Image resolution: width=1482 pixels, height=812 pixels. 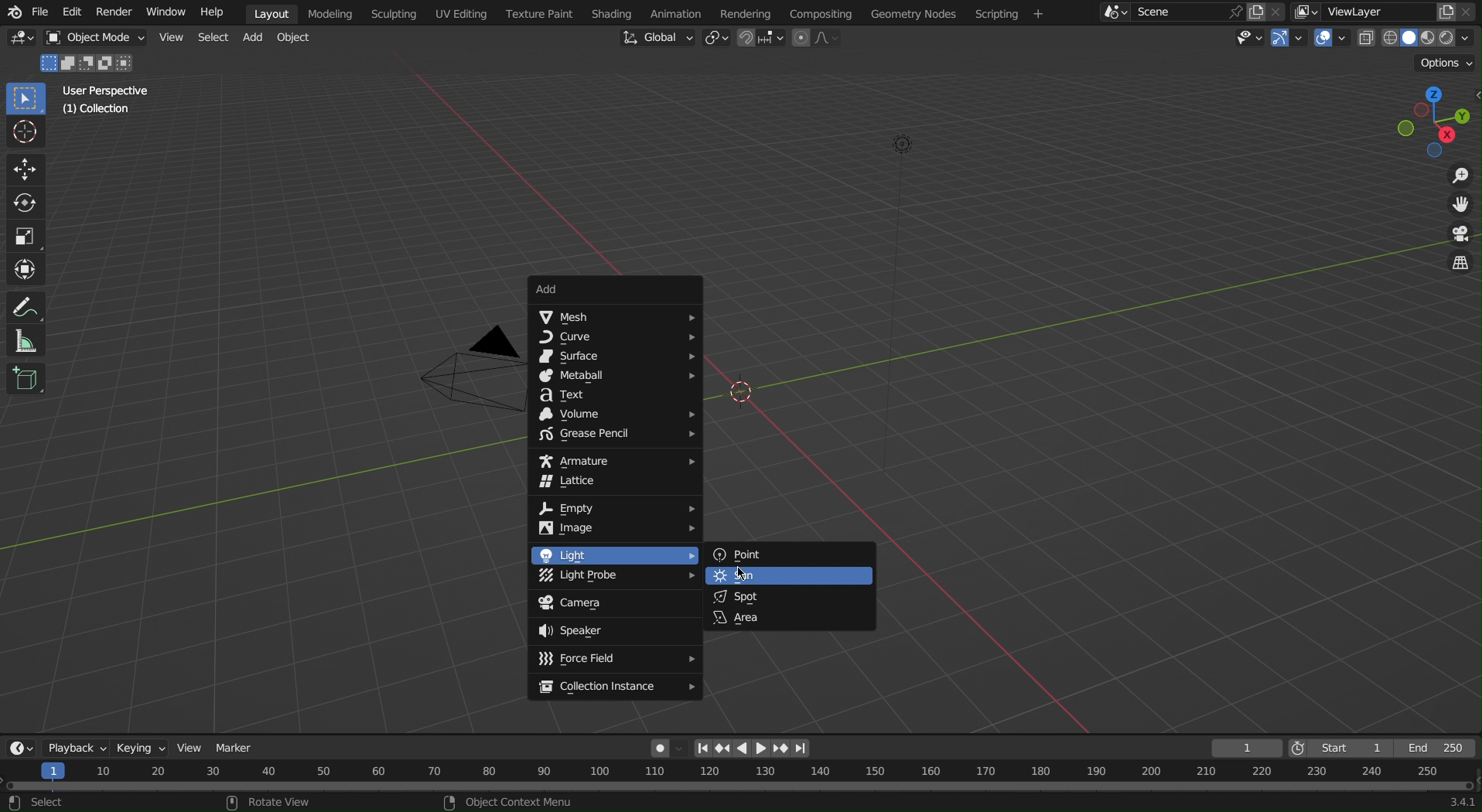 What do you see at coordinates (1357, 11) in the screenshot?
I see `View Layer` at bounding box center [1357, 11].